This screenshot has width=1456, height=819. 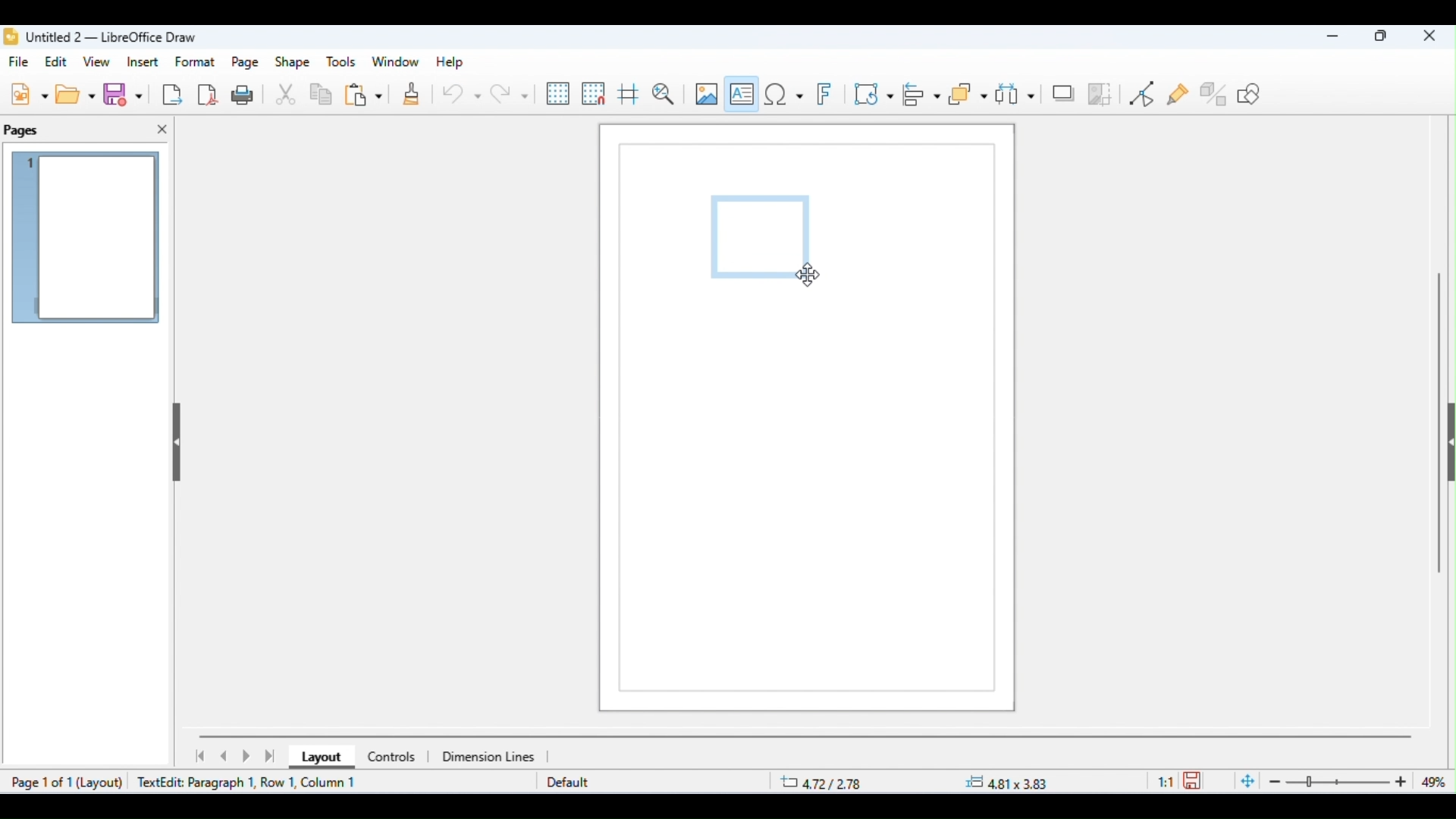 What do you see at coordinates (293, 63) in the screenshot?
I see `shape` at bounding box center [293, 63].